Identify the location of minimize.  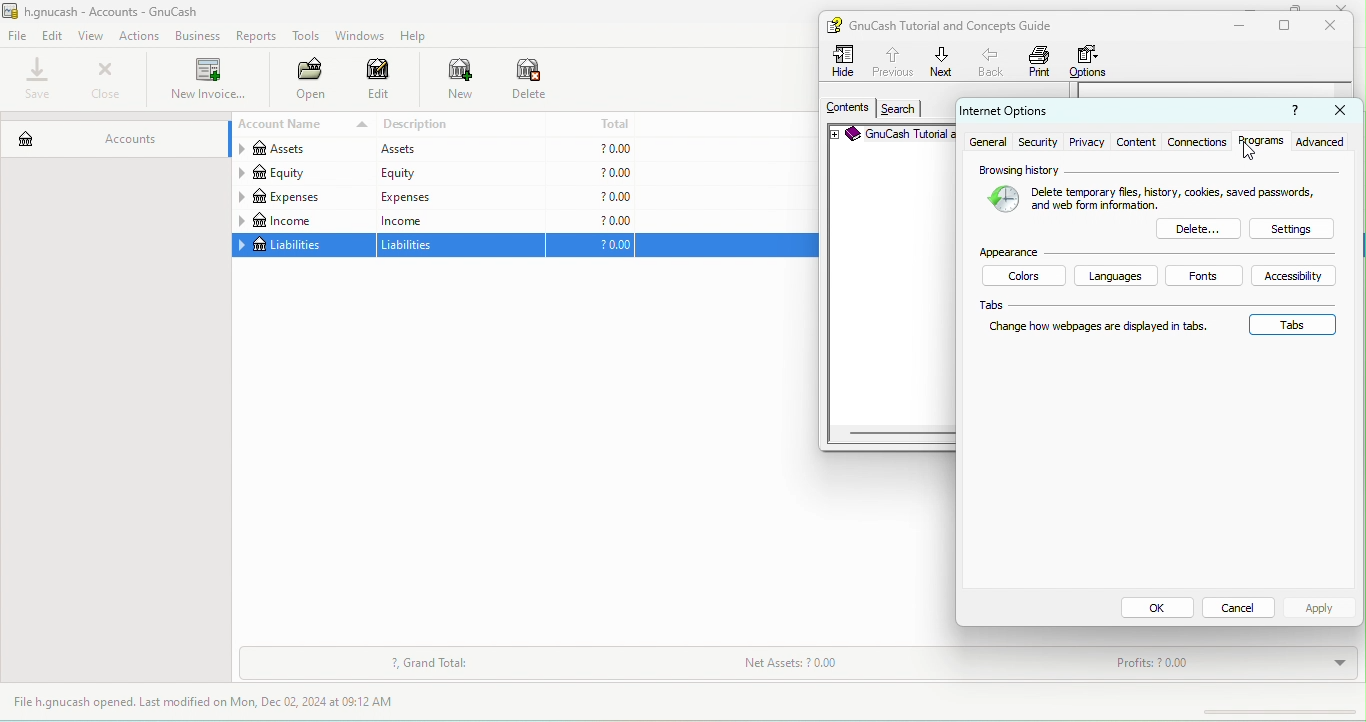
(1255, 5).